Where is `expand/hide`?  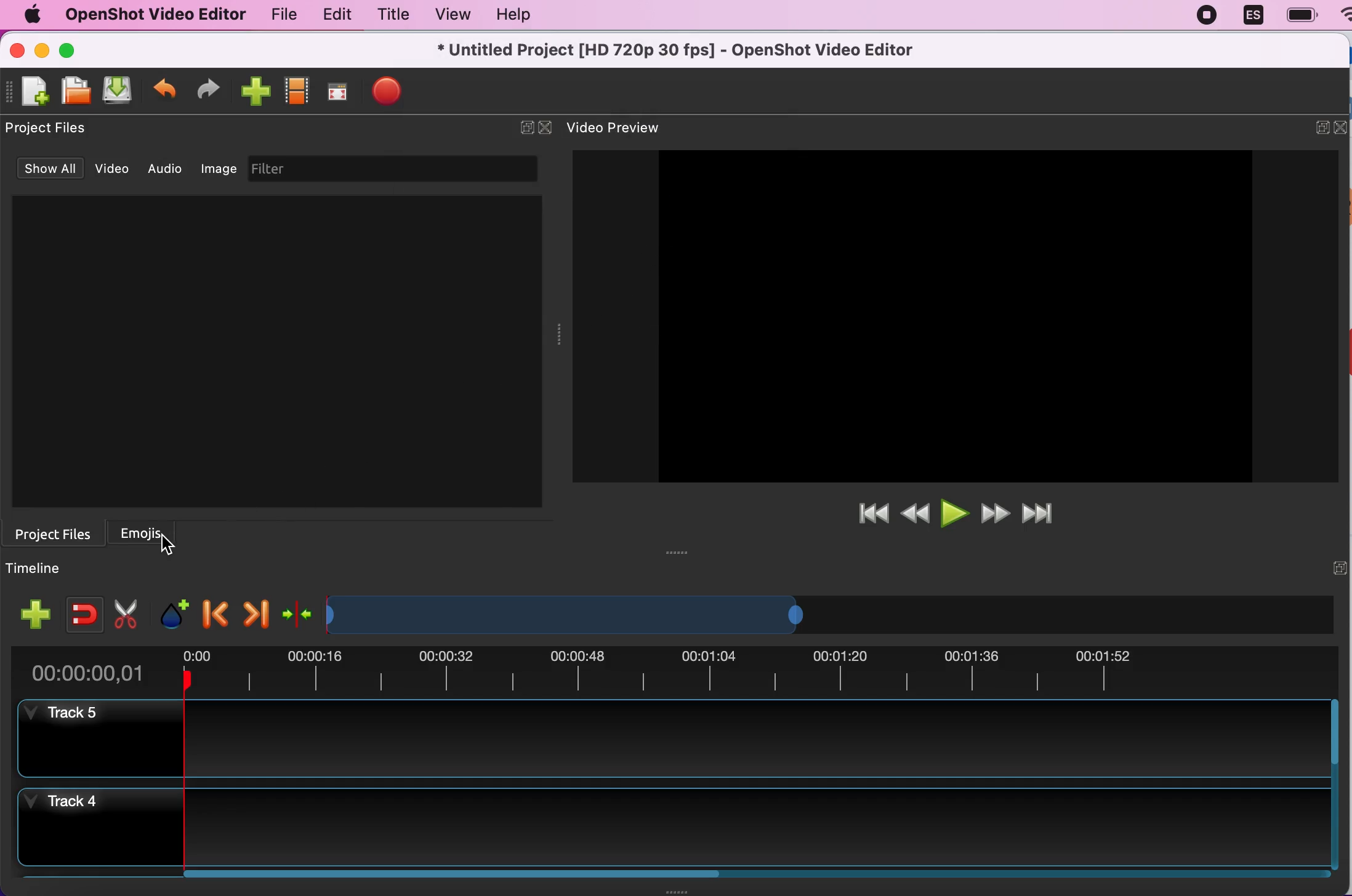 expand/hide is located at coordinates (519, 126).